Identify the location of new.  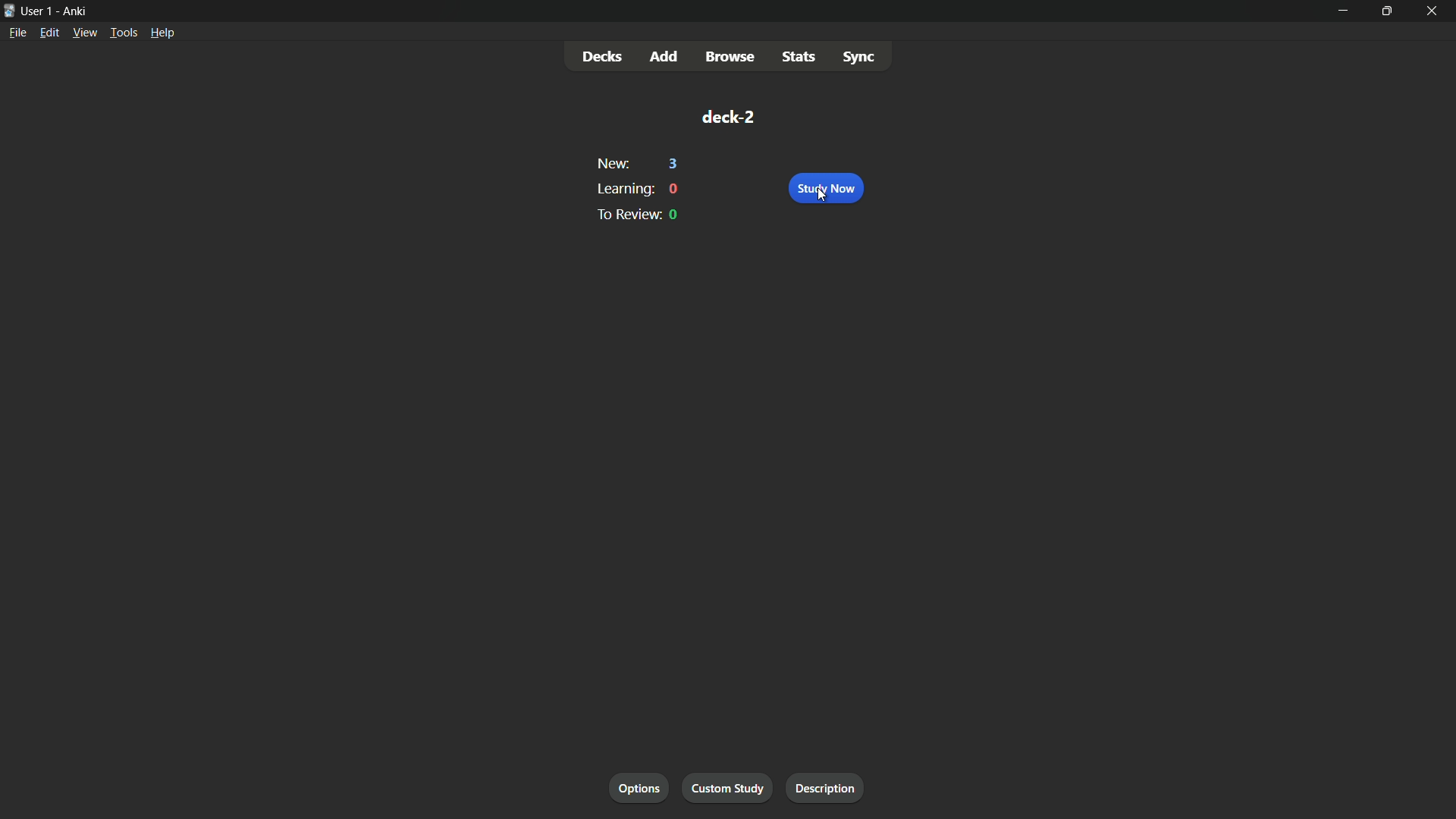
(613, 164).